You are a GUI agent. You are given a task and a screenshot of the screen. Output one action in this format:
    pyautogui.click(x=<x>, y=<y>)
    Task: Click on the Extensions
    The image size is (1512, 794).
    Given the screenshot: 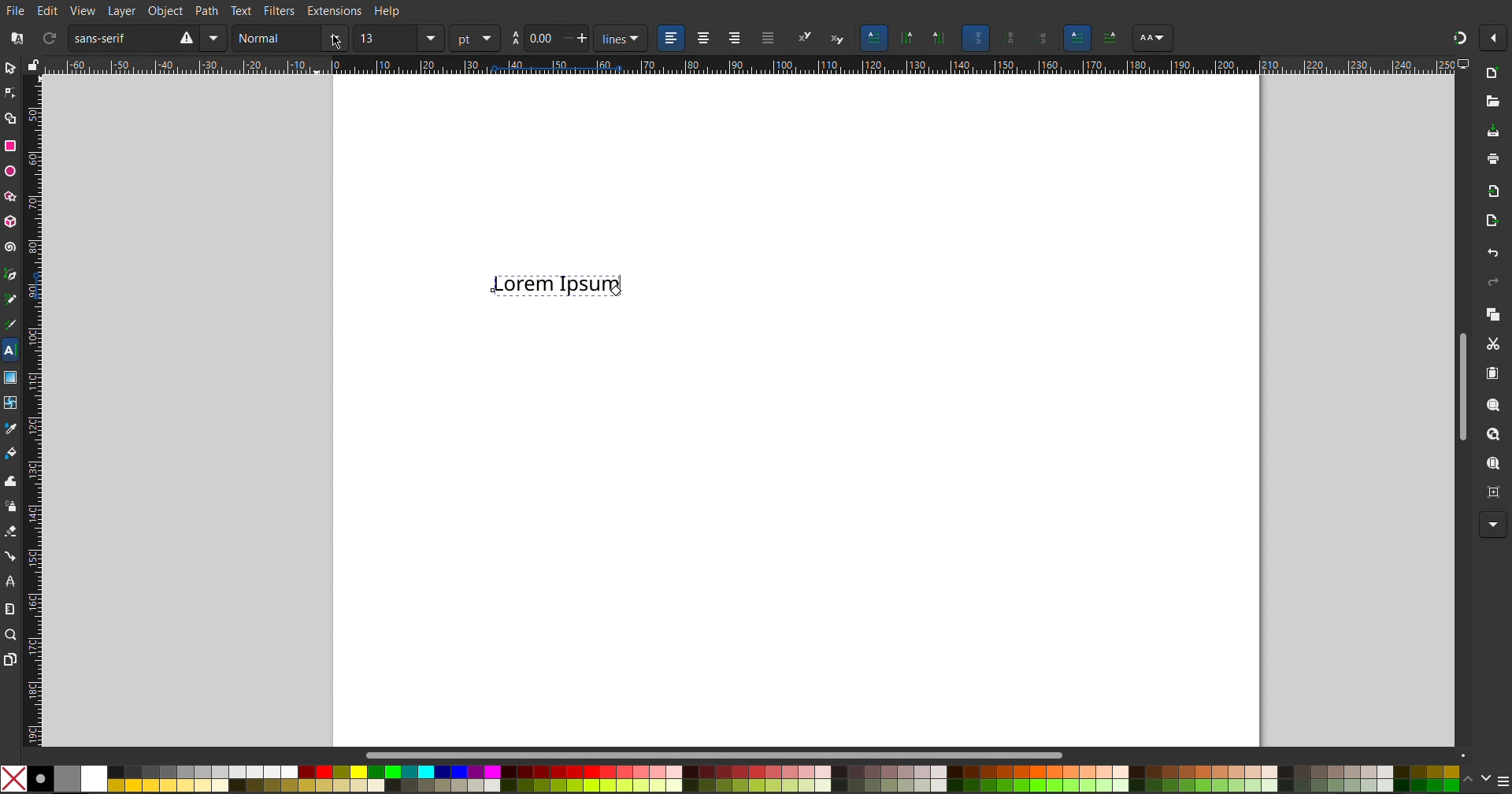 What is the action you would take?
    pyautogui.click(x=336, y=11)
    